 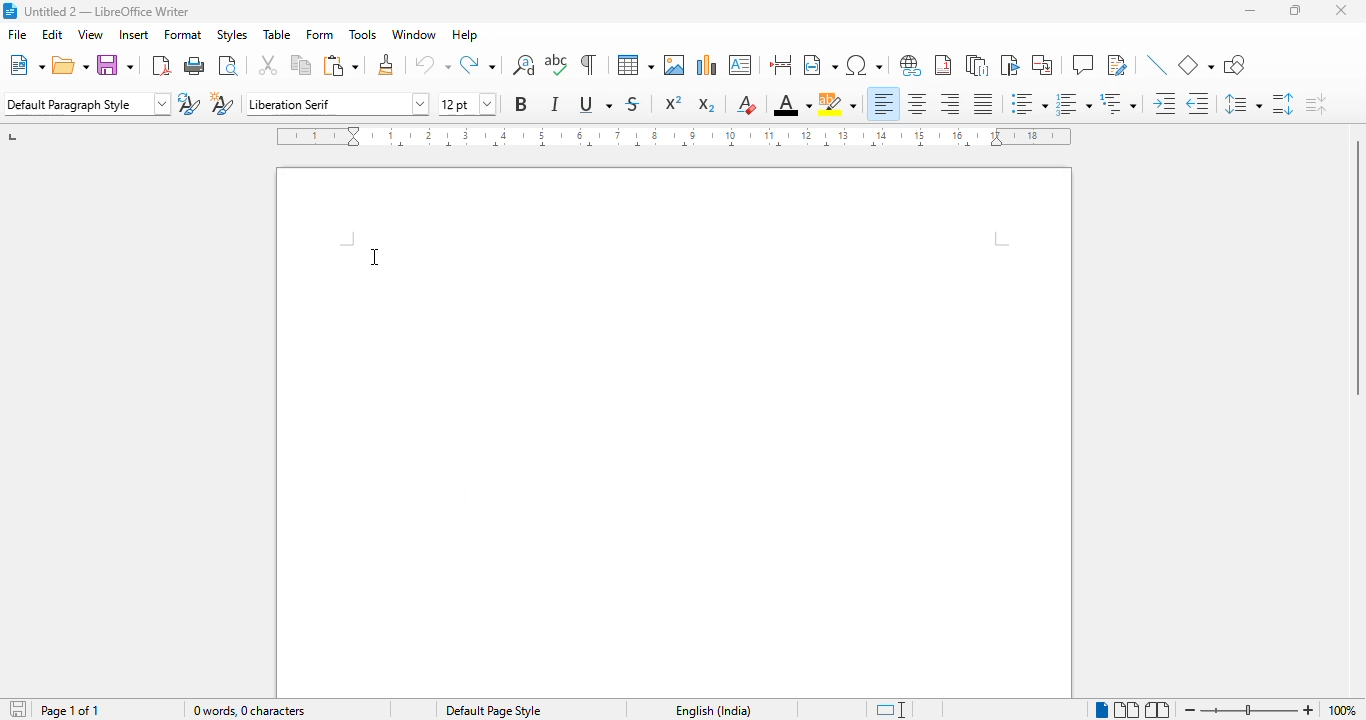 What do you see at coordinates (951, 103) in the screenshot?
I see `align right` at bounding box center [951, 103].